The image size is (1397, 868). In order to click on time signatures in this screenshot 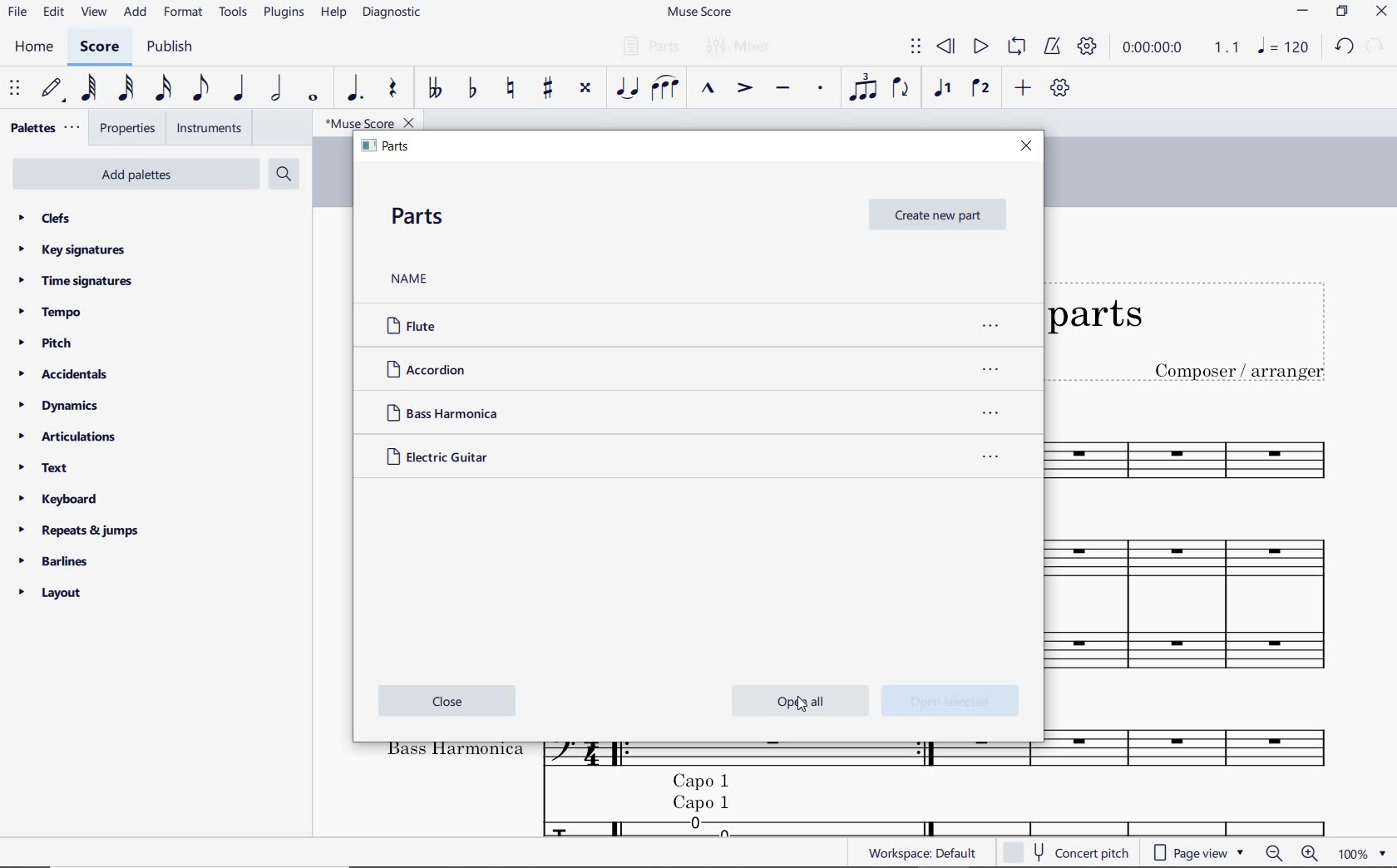, I will do `click(74, 283)`.